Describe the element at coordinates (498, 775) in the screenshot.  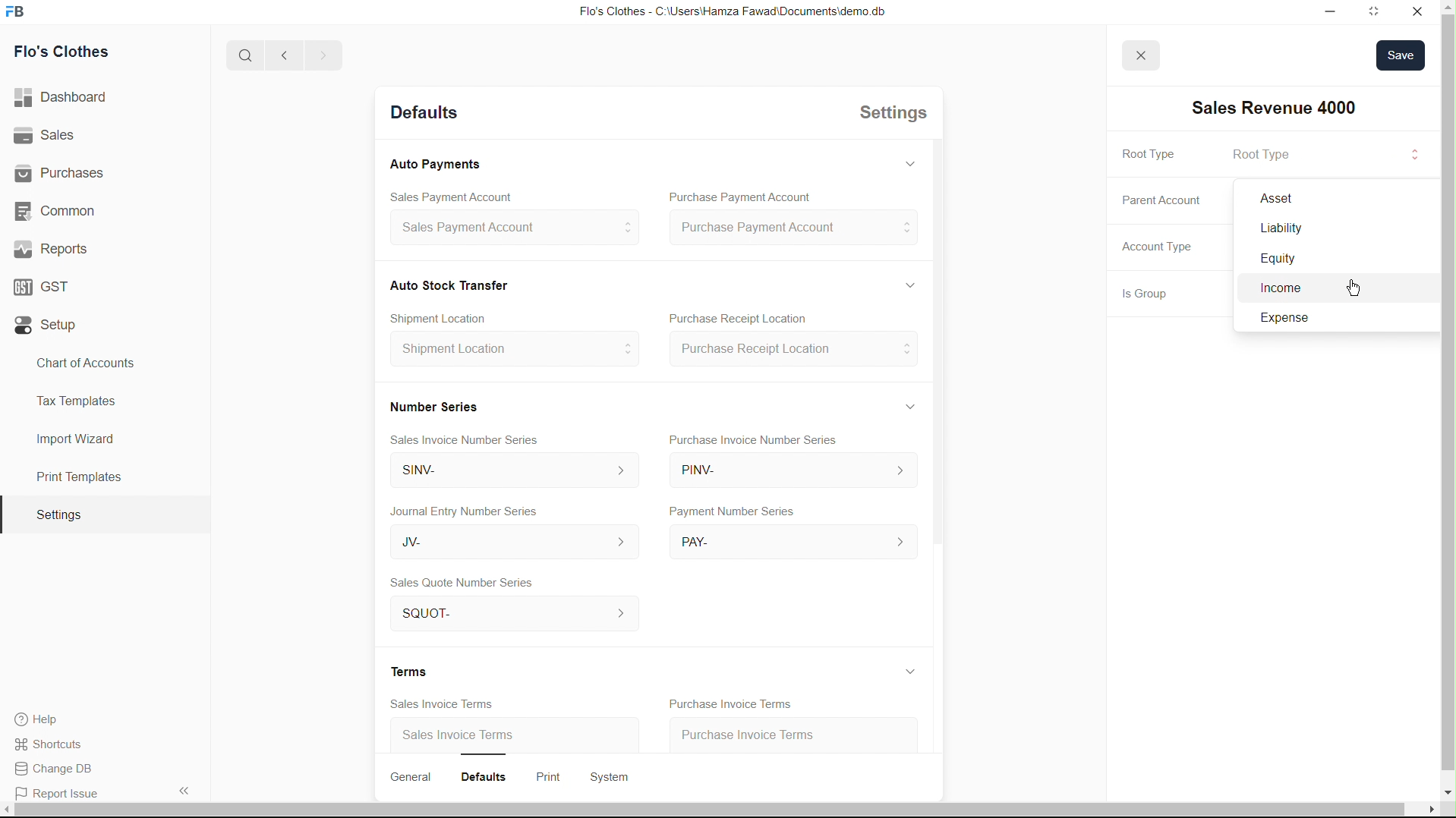
I see `Defaults` at that location.